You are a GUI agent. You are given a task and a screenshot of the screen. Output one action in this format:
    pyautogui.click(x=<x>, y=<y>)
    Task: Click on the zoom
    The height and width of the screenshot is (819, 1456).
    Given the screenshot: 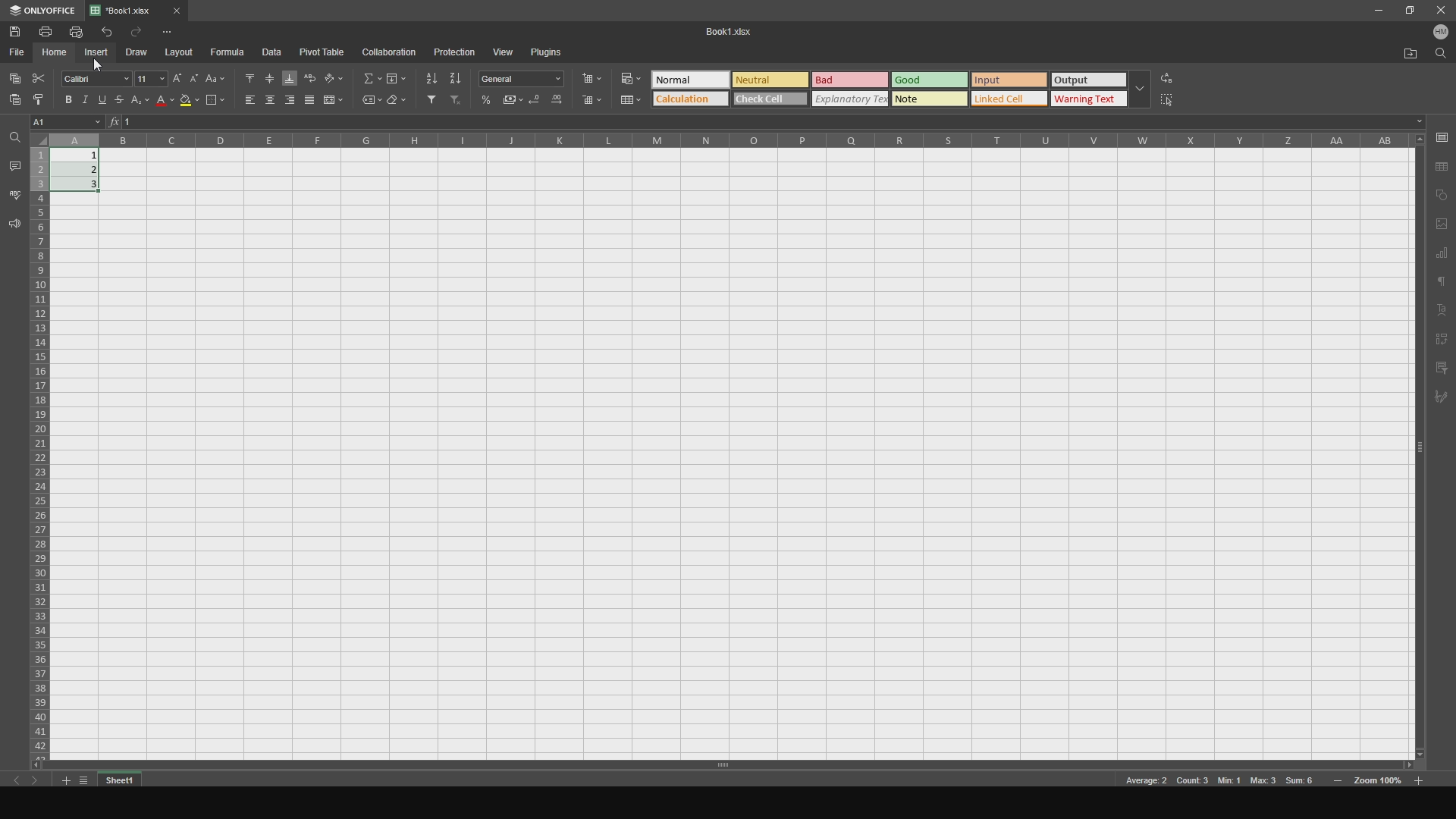 What is the action you would take?
    pyautogui.click(x=1379, y=783)
    